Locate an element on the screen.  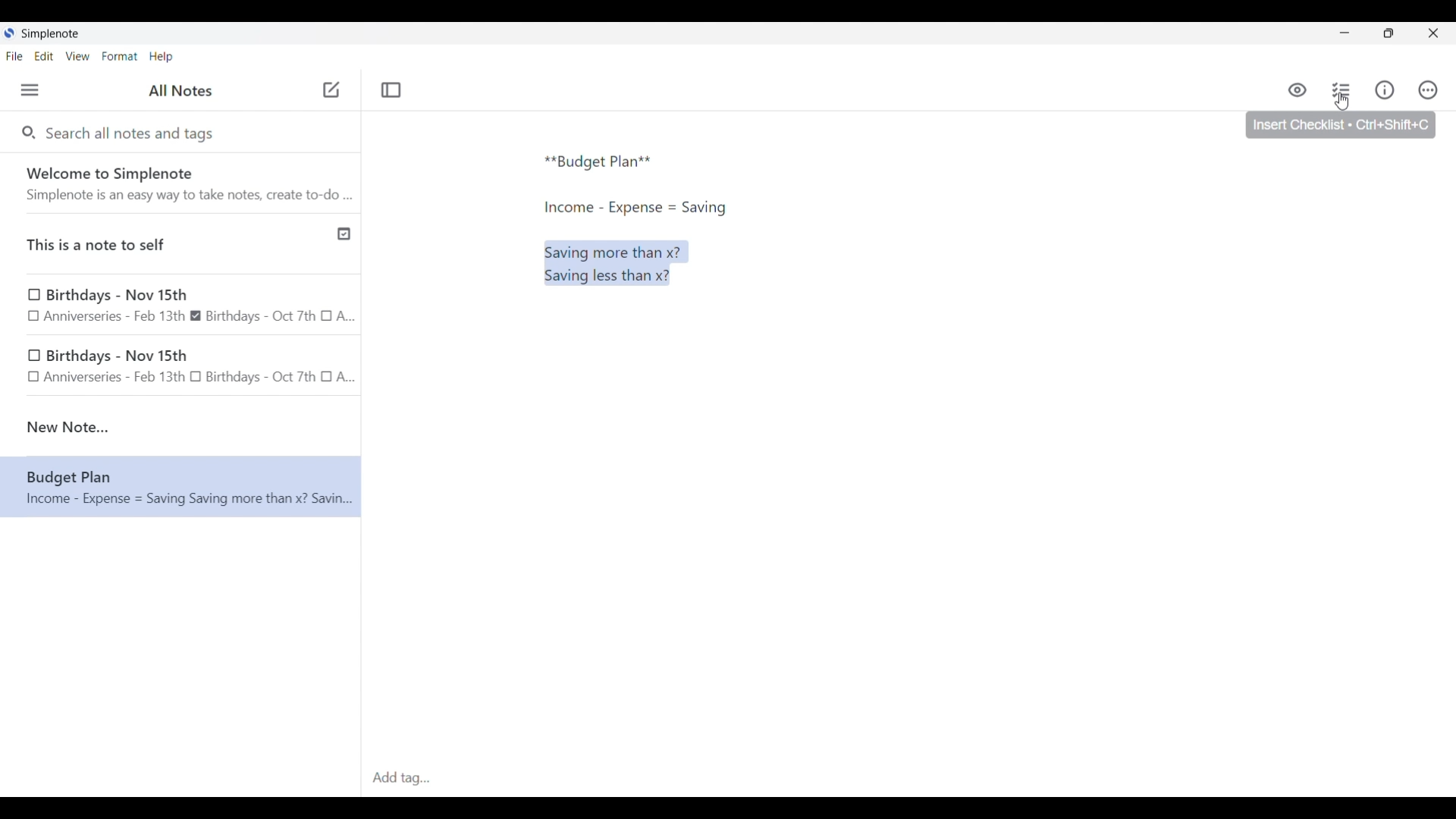
Menu is located at coordinates (30, 89).